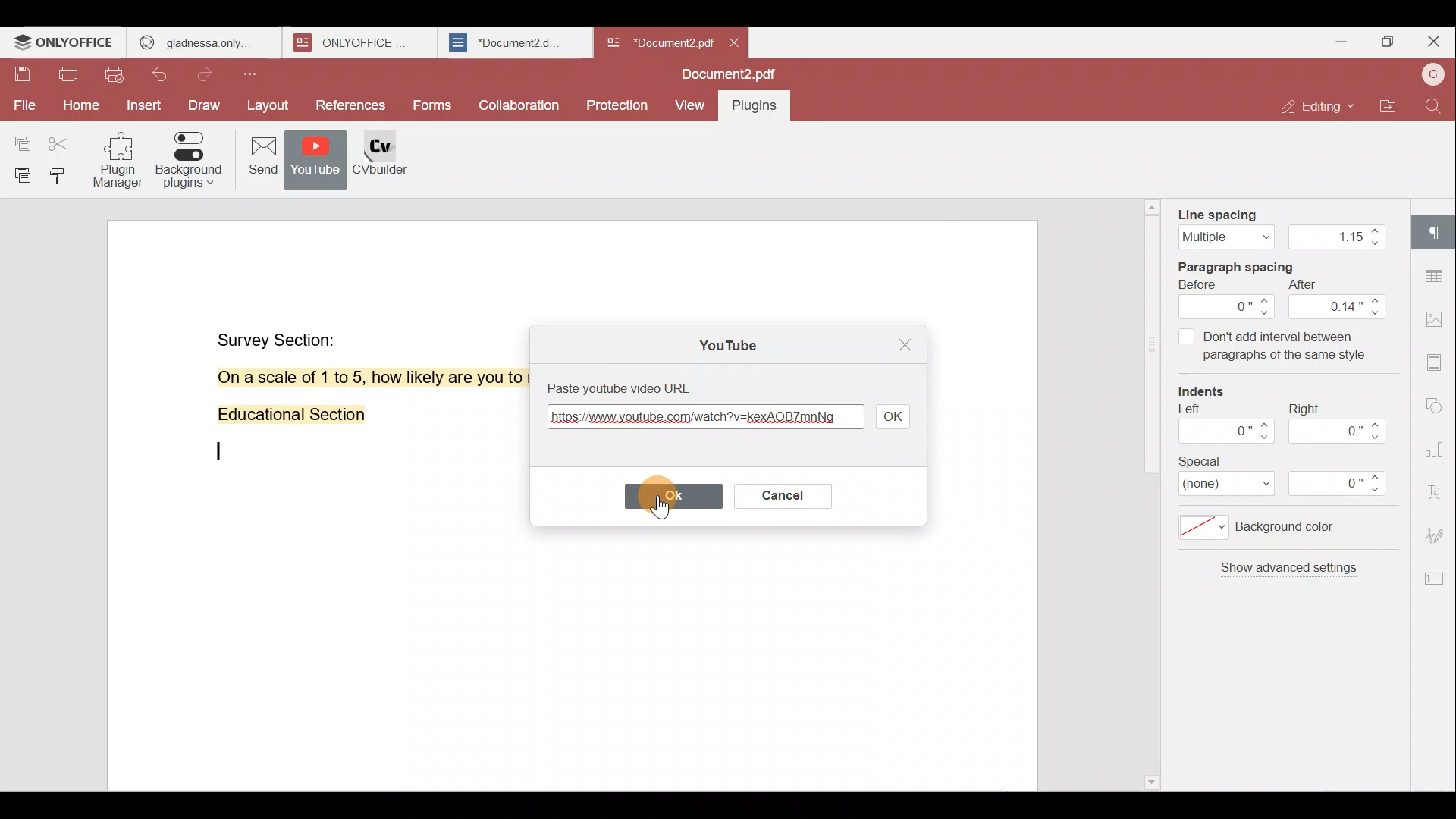 The height and width of the screenshot is (819, 1456). Describe the element at coordinates (257, 158) in the screenshot. I see `Send` at that location.